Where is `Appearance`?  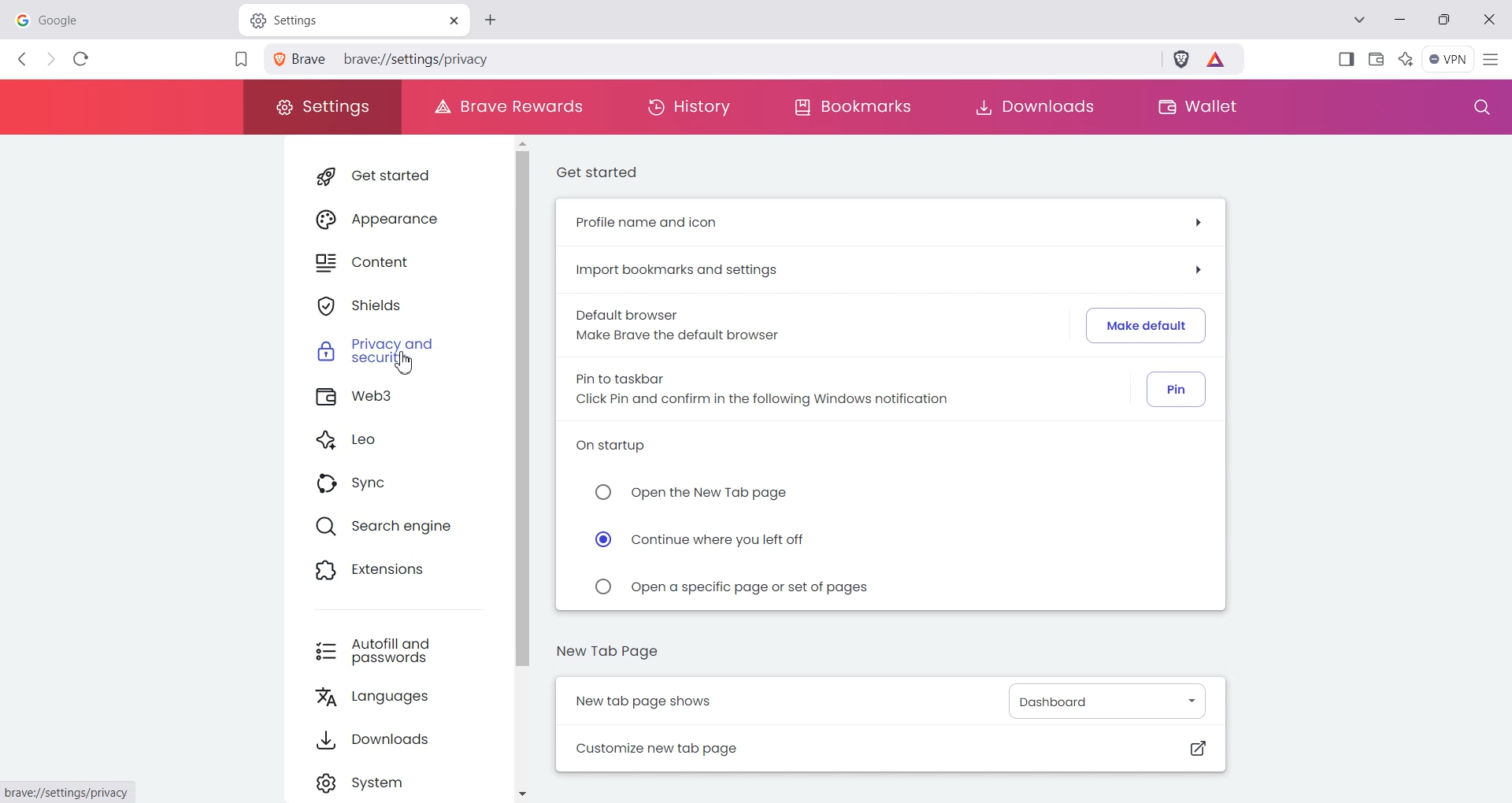
Appearance is located at coordinates (388, 217).